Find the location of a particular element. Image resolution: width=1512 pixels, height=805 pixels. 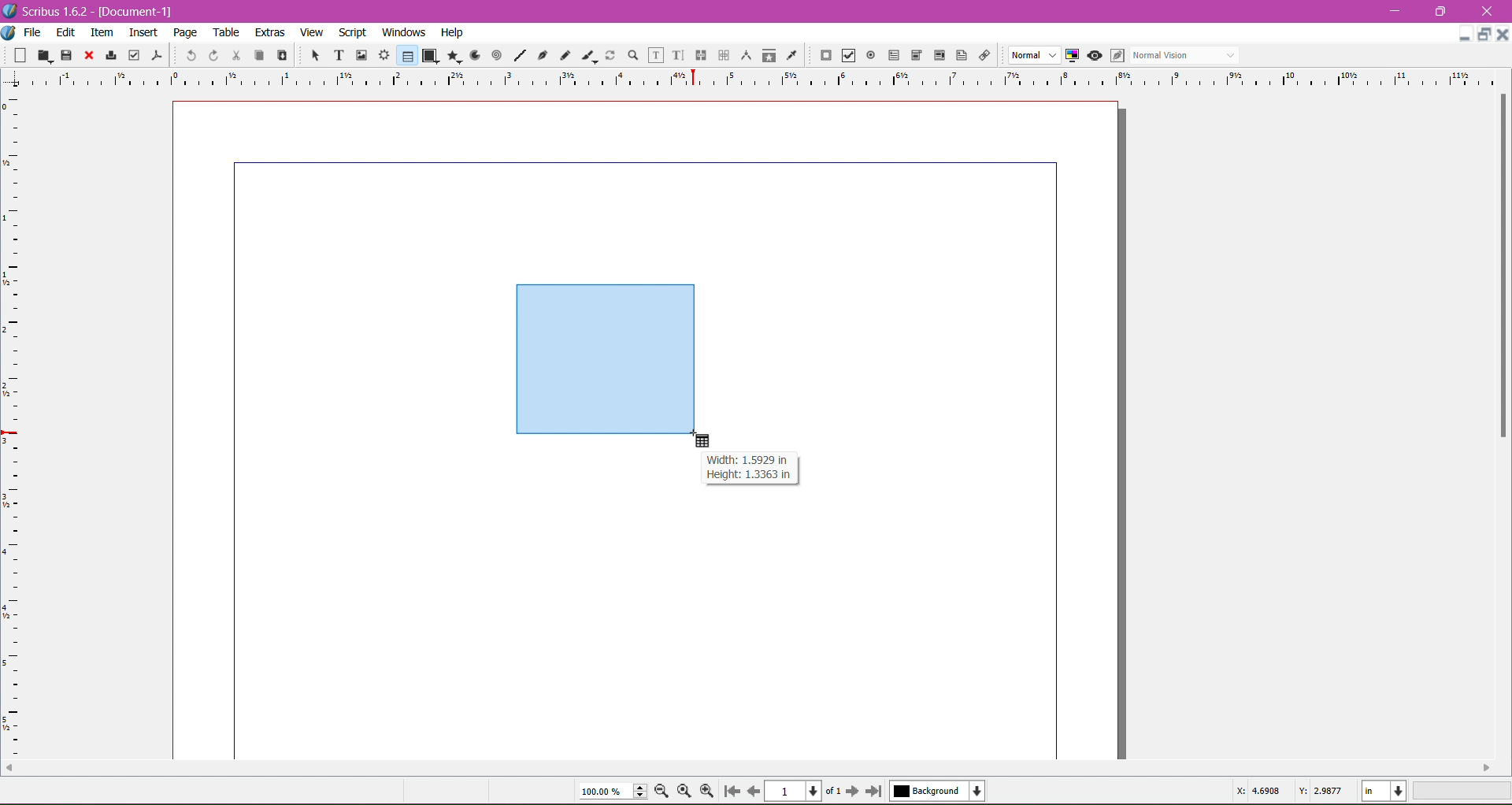

Edit in Preview mode is located at coordinates (1116, 55).